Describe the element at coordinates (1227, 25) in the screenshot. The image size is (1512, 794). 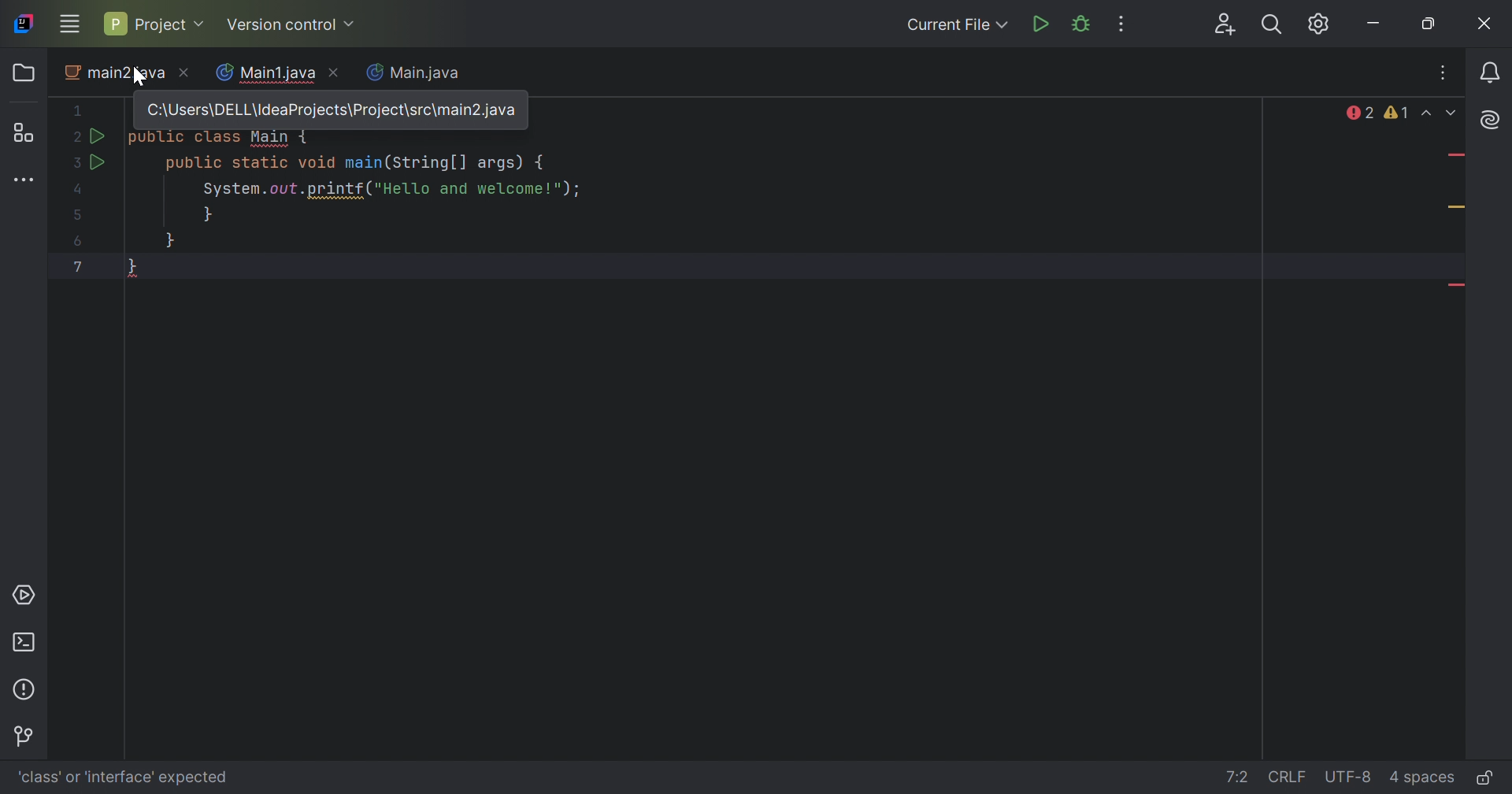
I see `Code With Me` at that location.